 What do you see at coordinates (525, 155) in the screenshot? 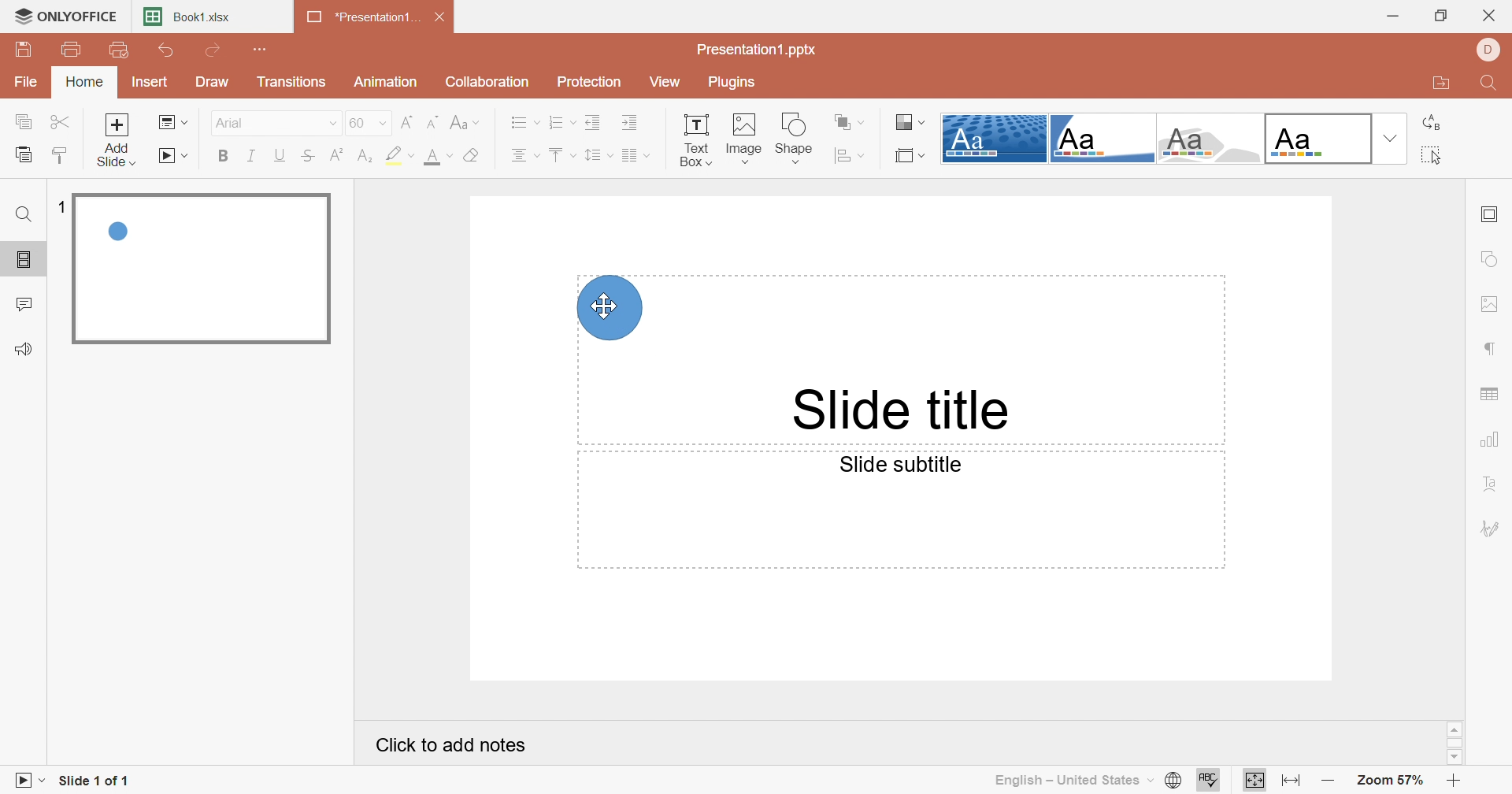
I see `Horizontal align` at bounding box center [525, 155].